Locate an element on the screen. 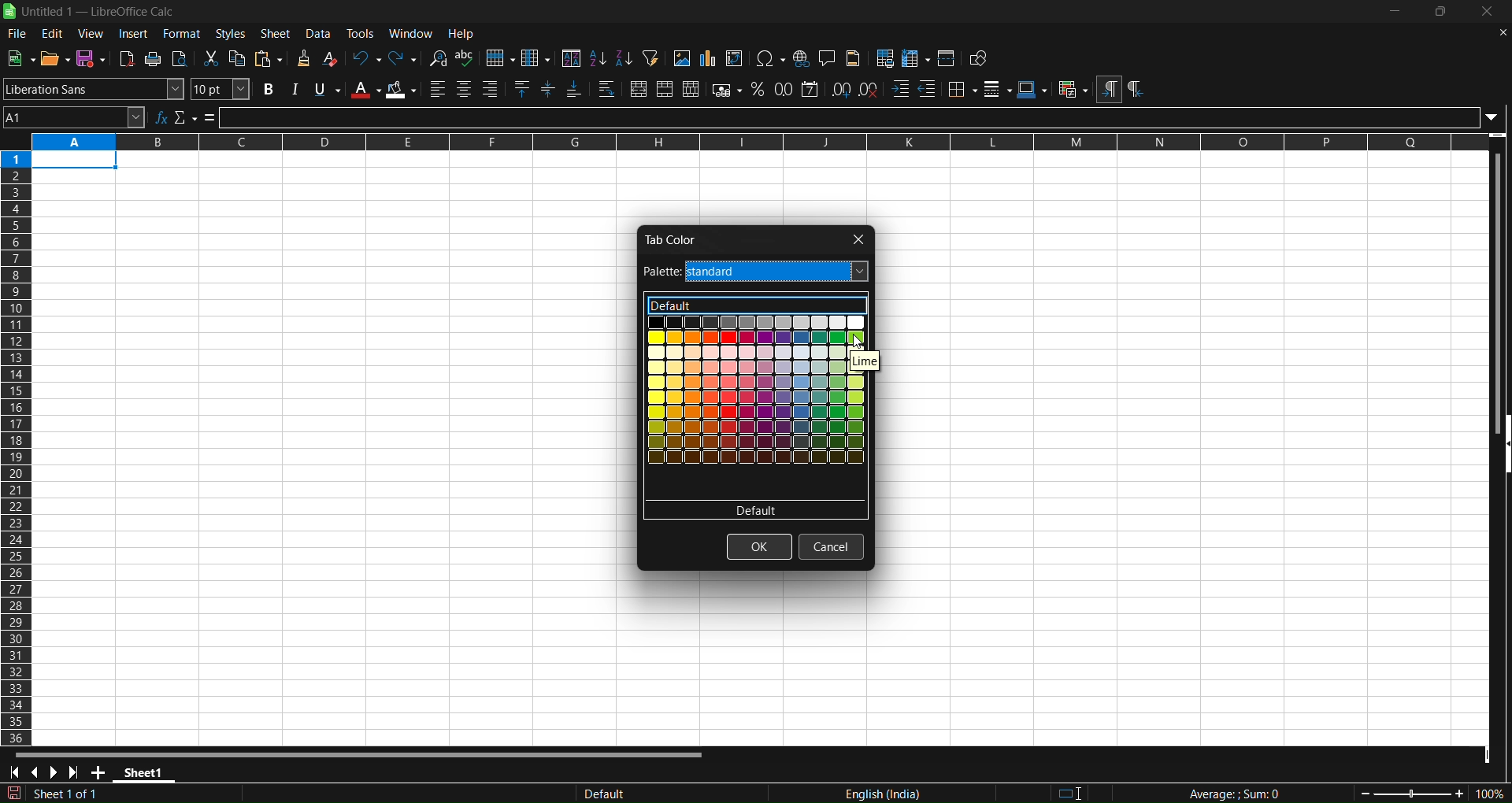 The image size is (1512, 803). lime color is located at coordinates (876, 360).